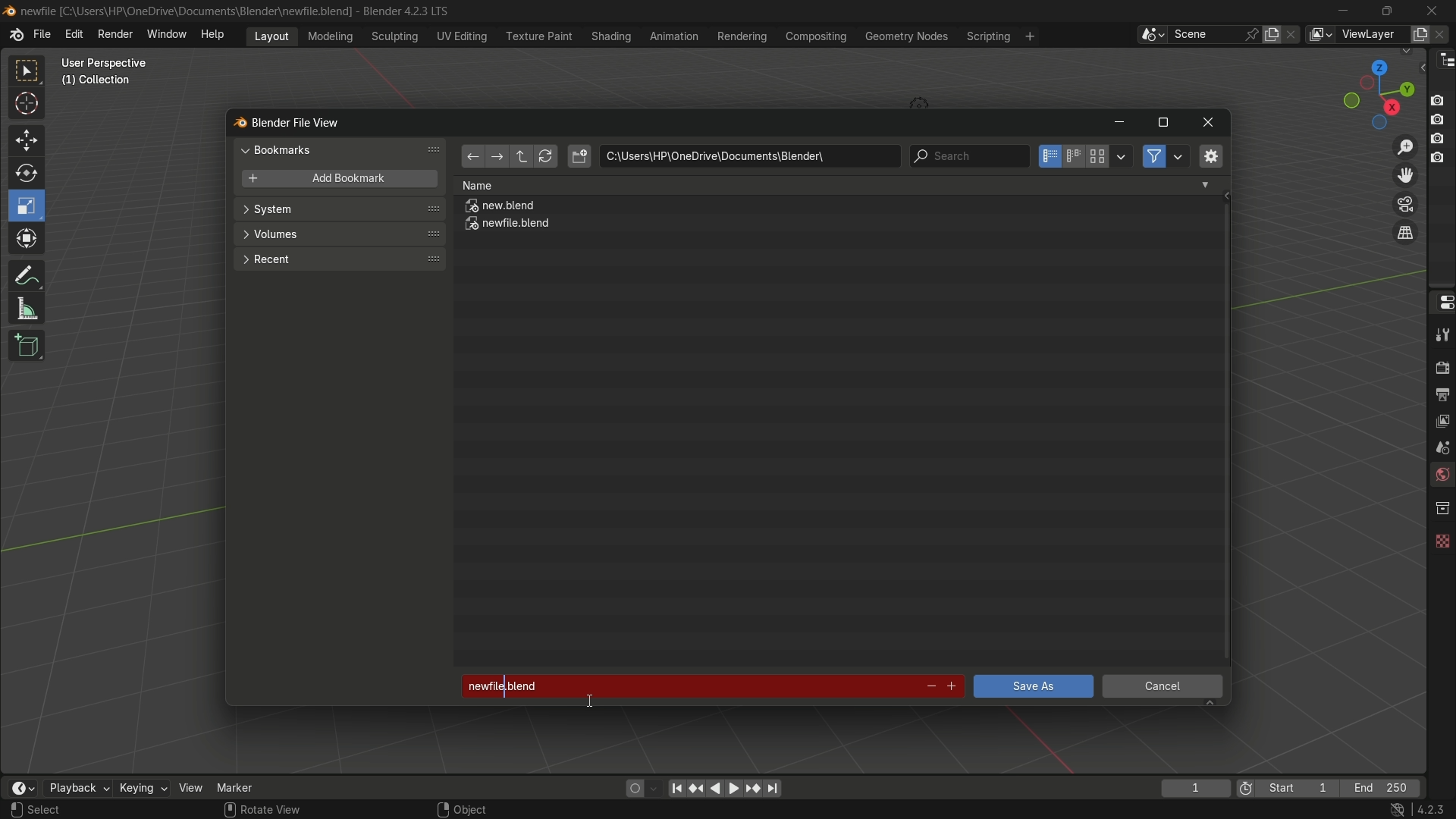  Describe the element at coordinates (391, 36) in the screenshot. I see `sculpting menu` at that location.